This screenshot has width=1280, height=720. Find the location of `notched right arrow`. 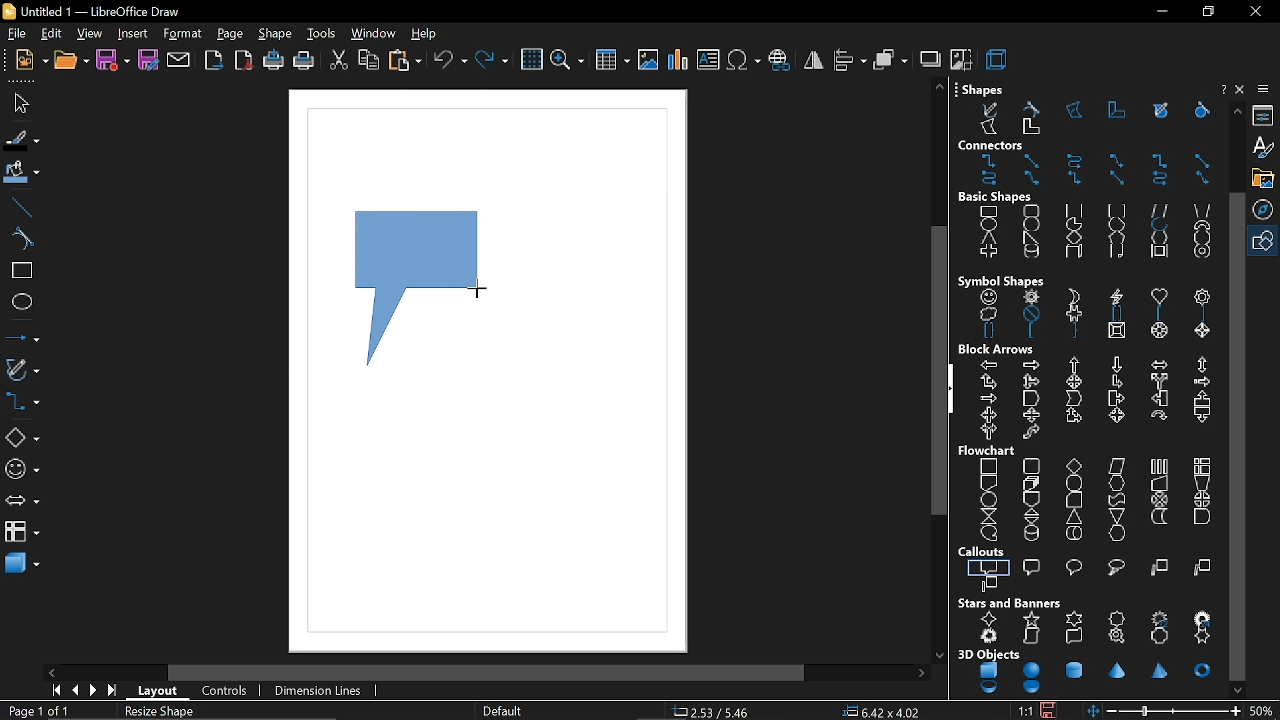

notched right arrow is located at coordinates (987, 399).